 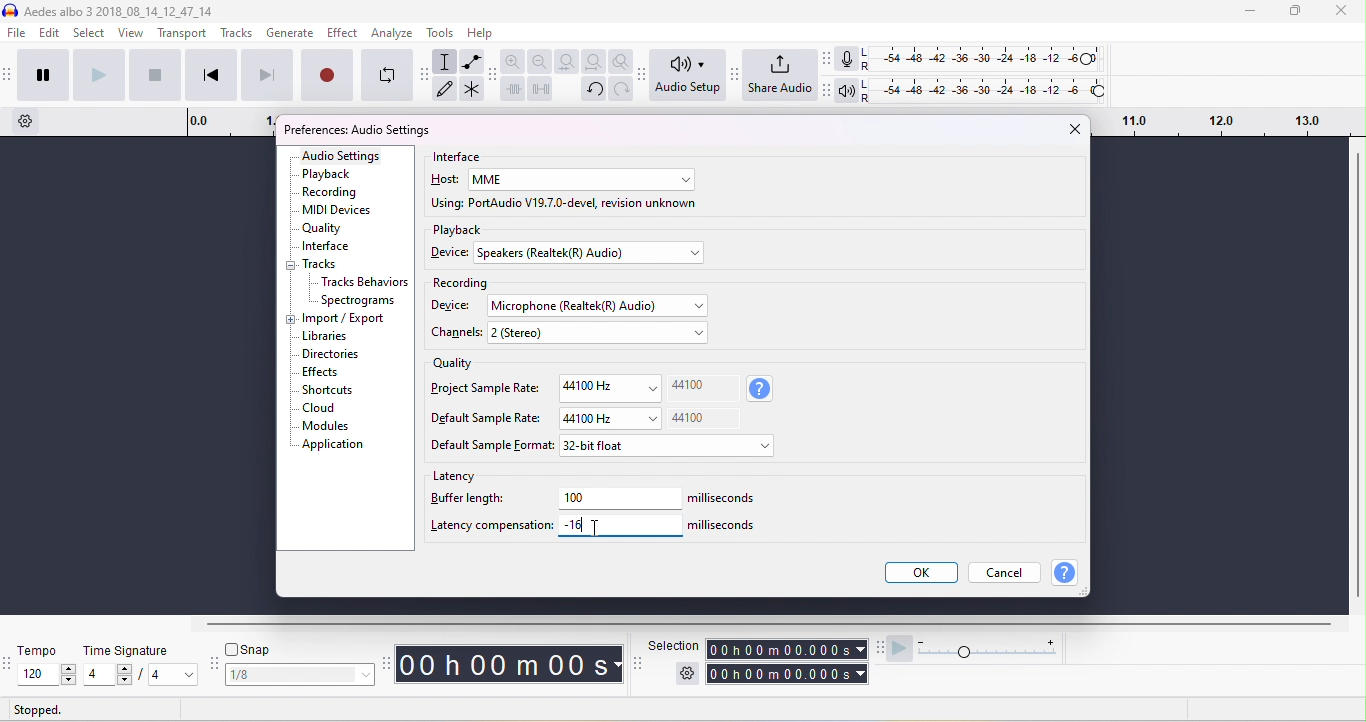 I want to click on Audacity playback meter toolbar, so click(x=828, y=91).